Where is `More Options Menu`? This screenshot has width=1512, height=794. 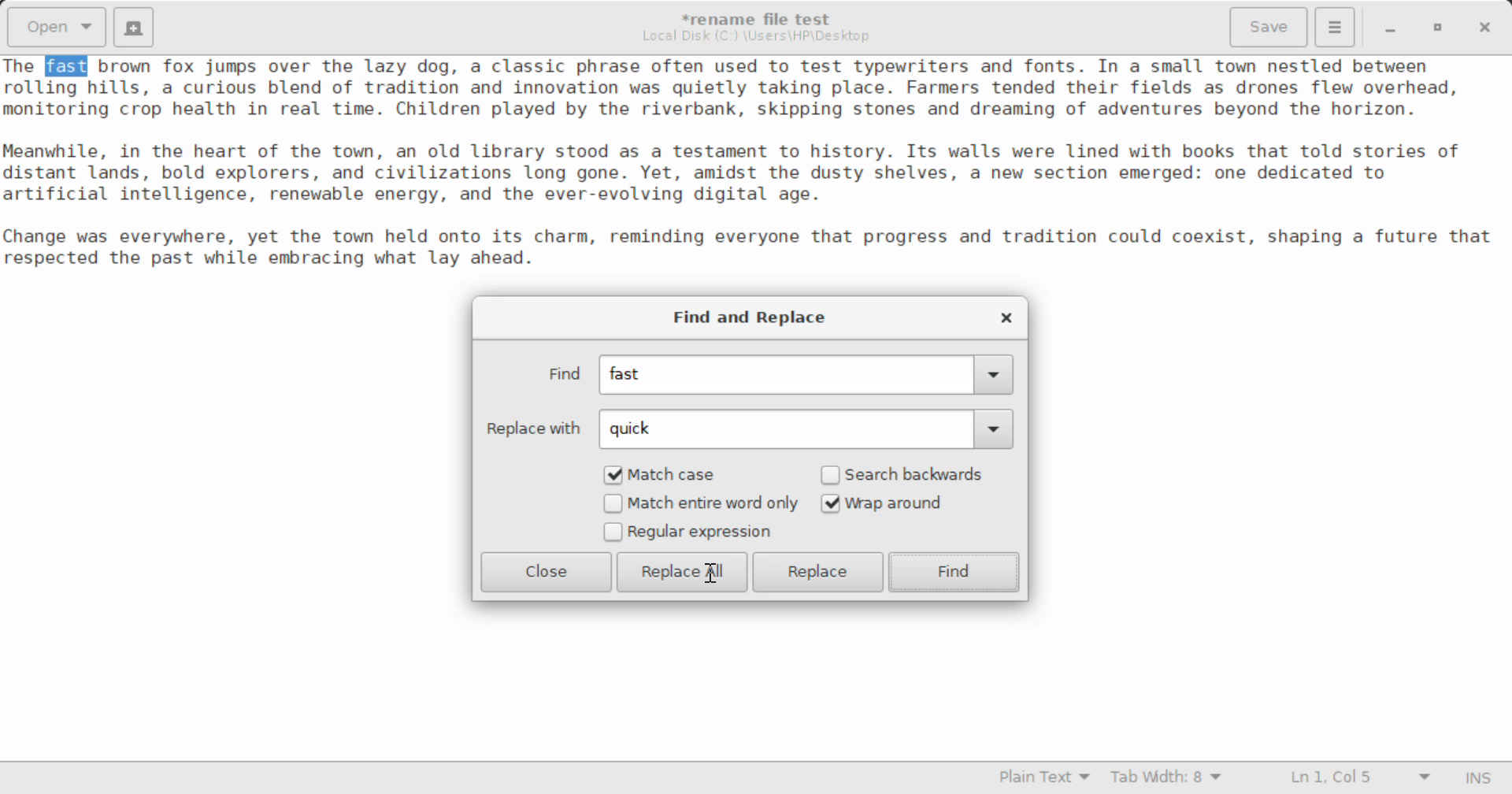 More Options Menu is located at coordinates (1336, 28).